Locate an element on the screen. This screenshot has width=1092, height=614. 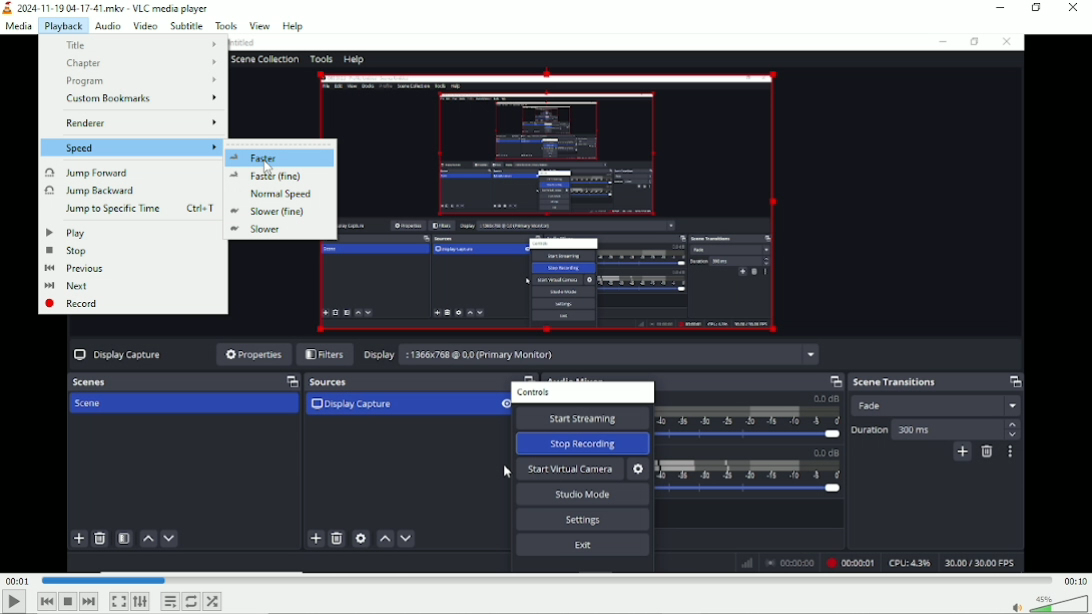
Chapter is located at coordinates (135, 62).